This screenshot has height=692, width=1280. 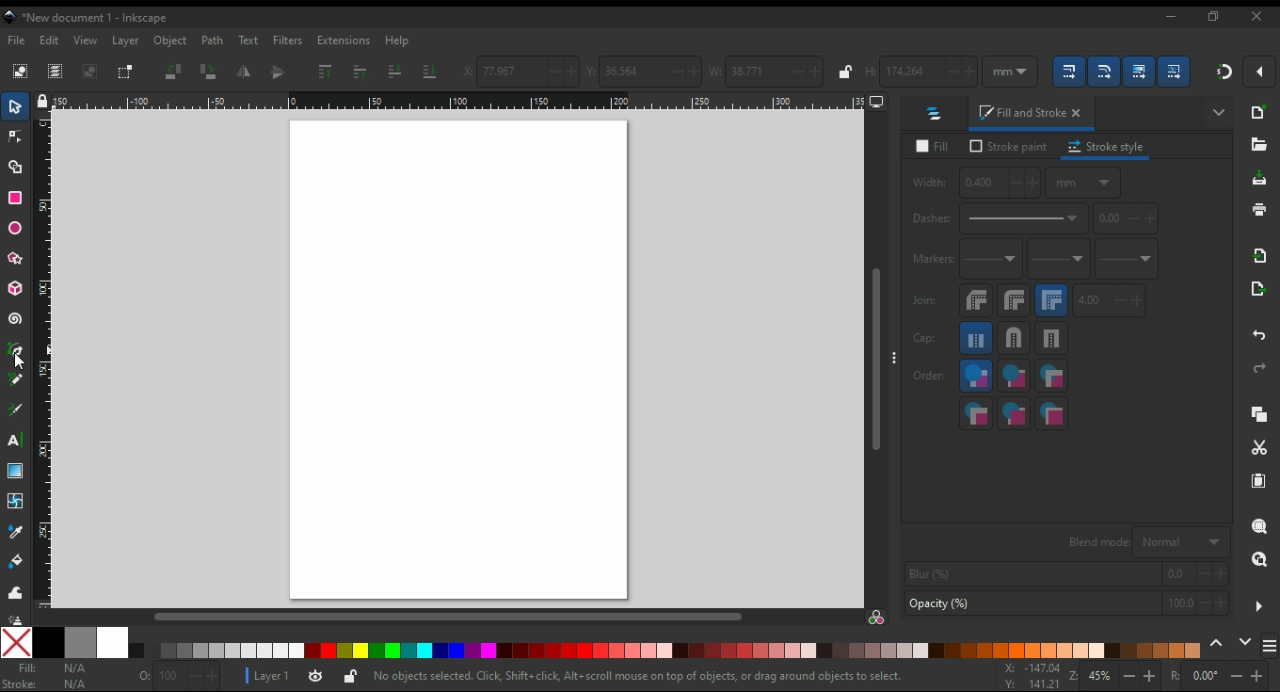 What do you see at coordinates (975, 301) in the screenshot?
I see `bevel` at bounding box center [975, 301].